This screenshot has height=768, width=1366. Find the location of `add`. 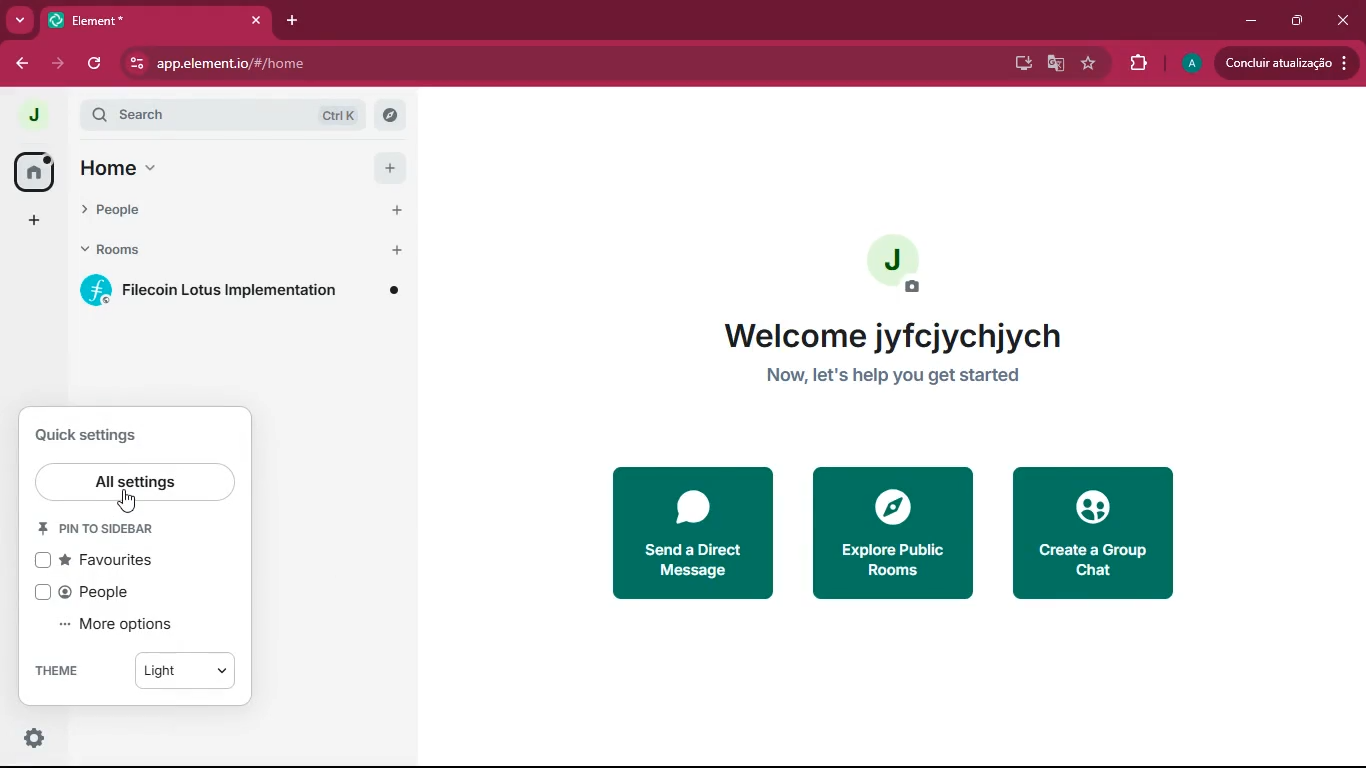

add is located at coordinates (386, 169).